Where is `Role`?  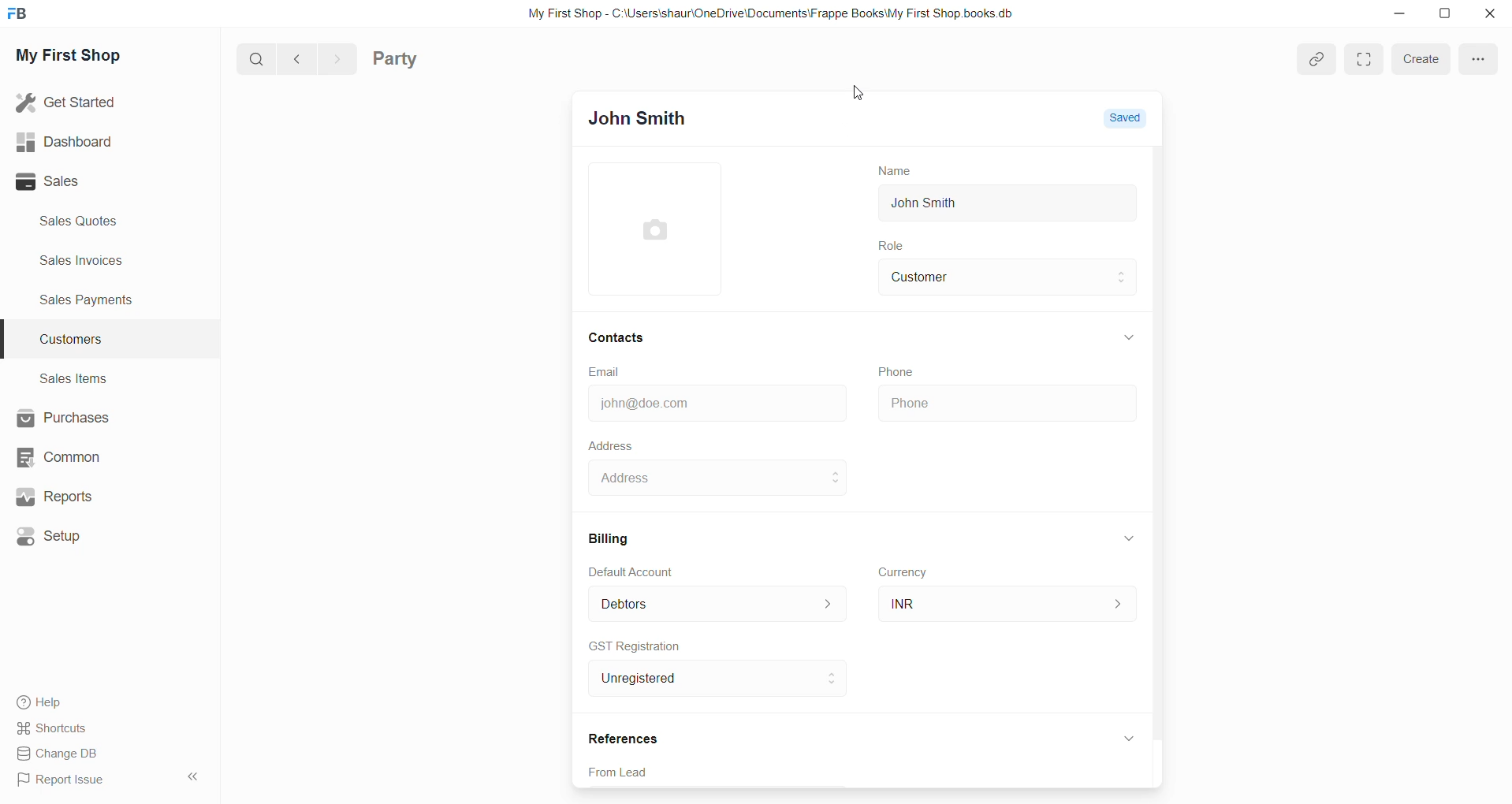
Role is located at coordinates (896, 247).